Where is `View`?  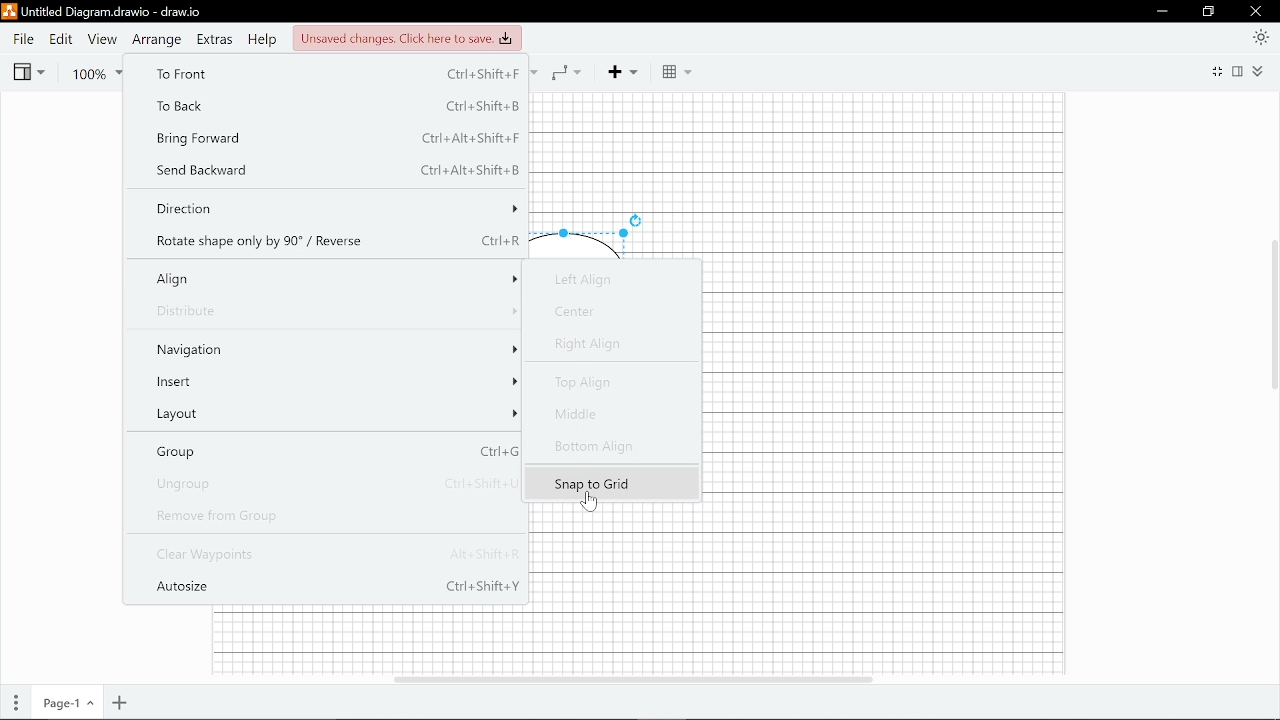
View is located at coordinates (102, 40).